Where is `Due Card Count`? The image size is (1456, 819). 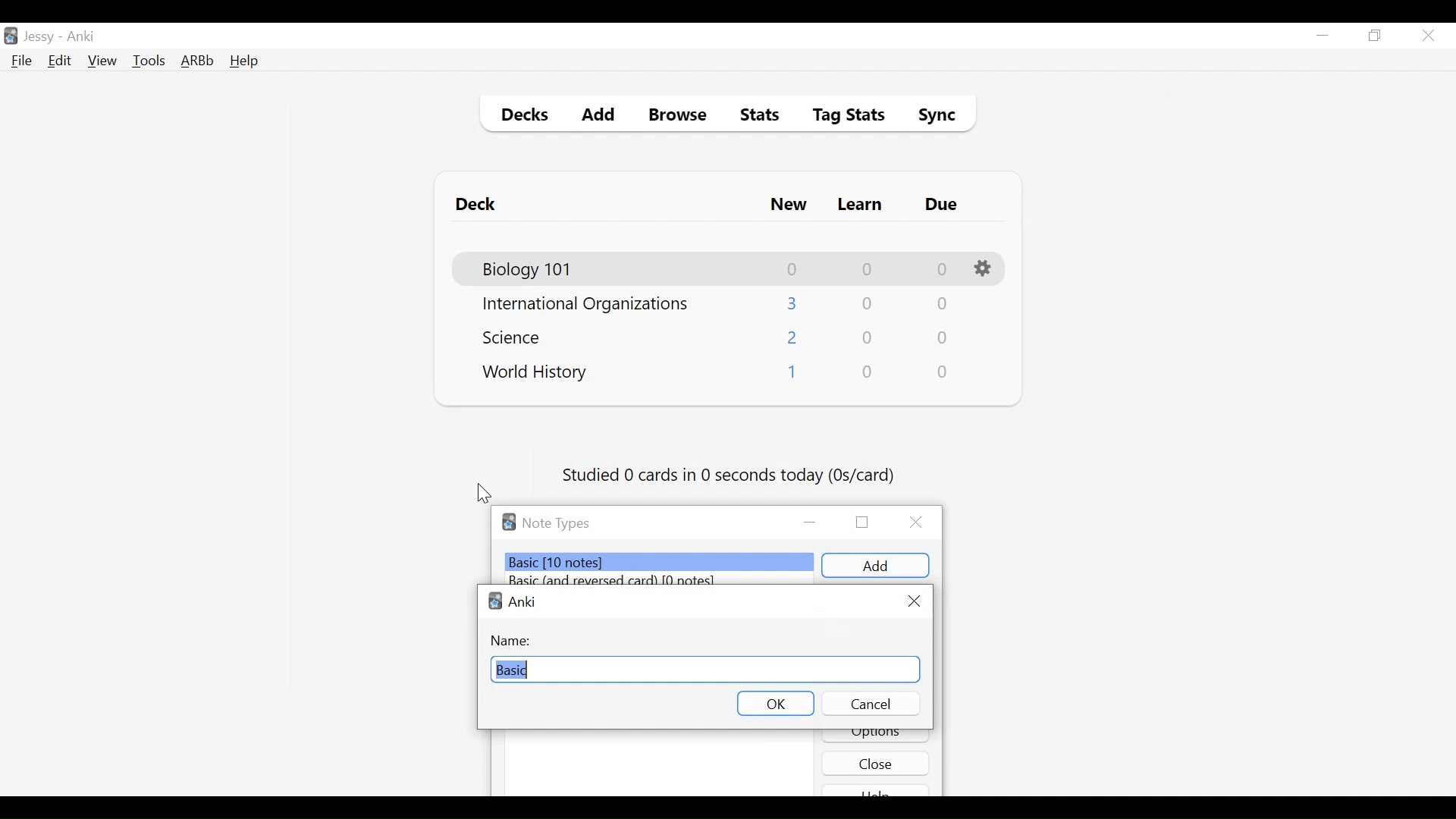
Due Card Count is located at coordinates (943, 270).